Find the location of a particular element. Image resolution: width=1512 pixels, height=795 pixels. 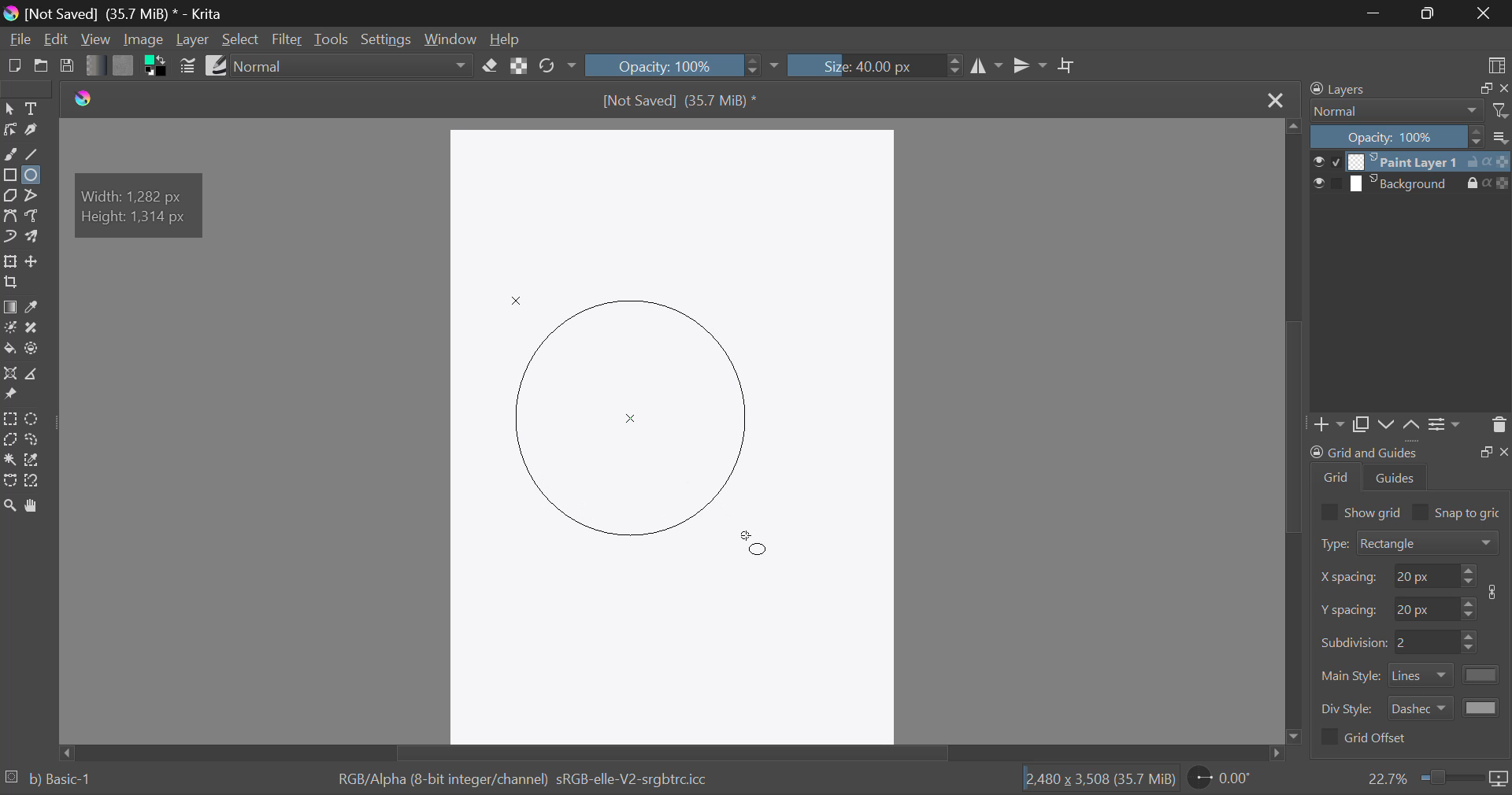

Blending Mode is located at coordinates (354, 66).